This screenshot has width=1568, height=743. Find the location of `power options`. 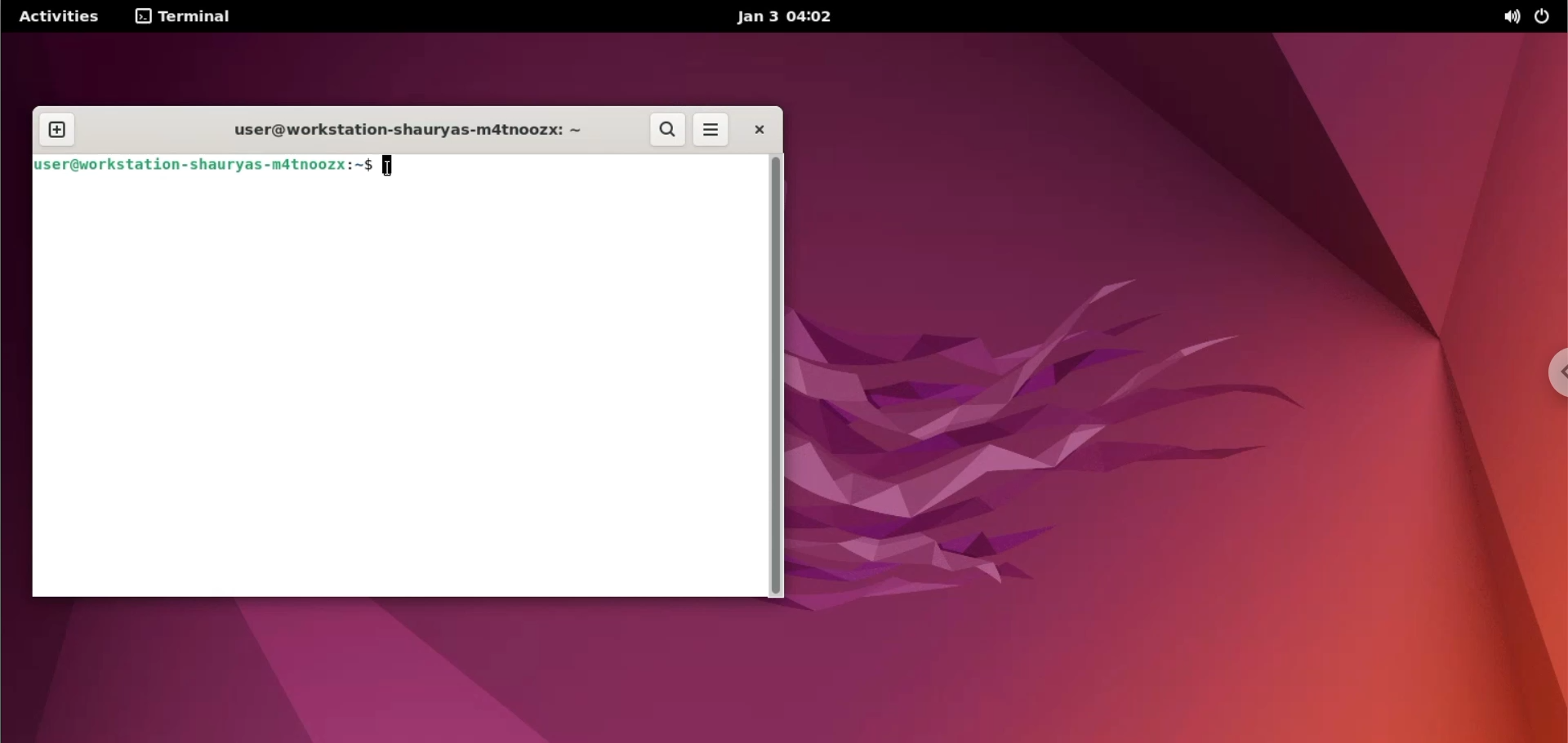

power options is located at coordinates (1547, 17).